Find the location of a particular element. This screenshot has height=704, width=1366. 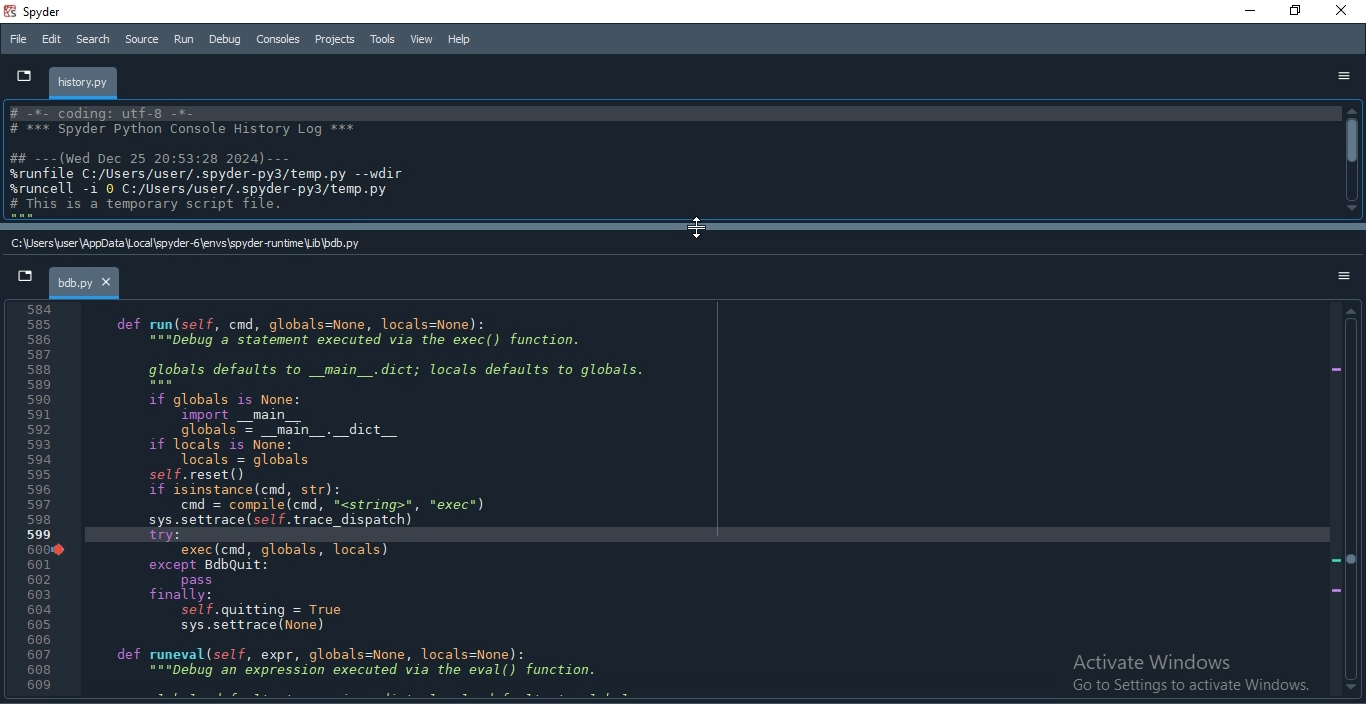

File  is located at coordinates (18, 38).